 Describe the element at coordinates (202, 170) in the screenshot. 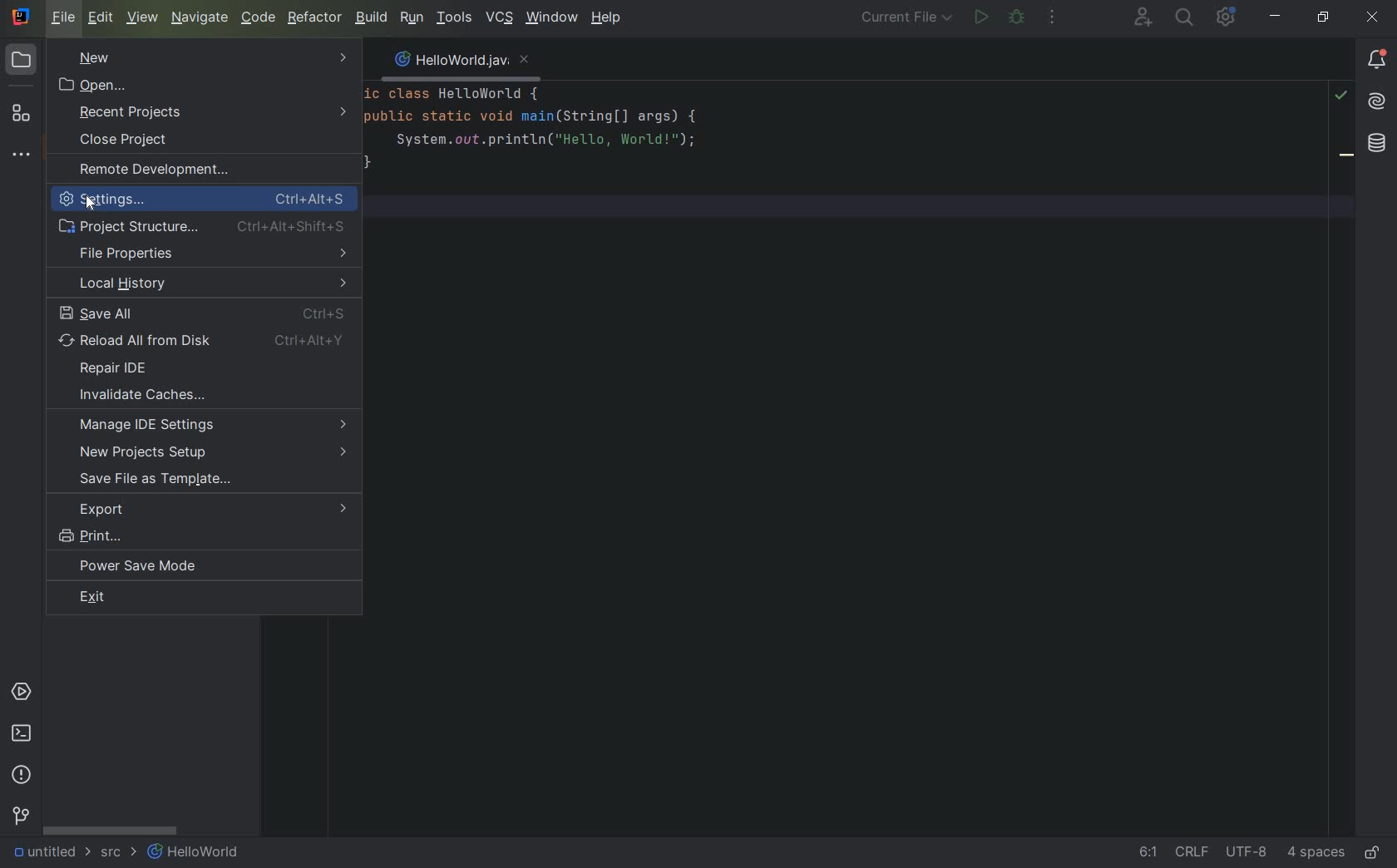

I see `remote development` at that location.